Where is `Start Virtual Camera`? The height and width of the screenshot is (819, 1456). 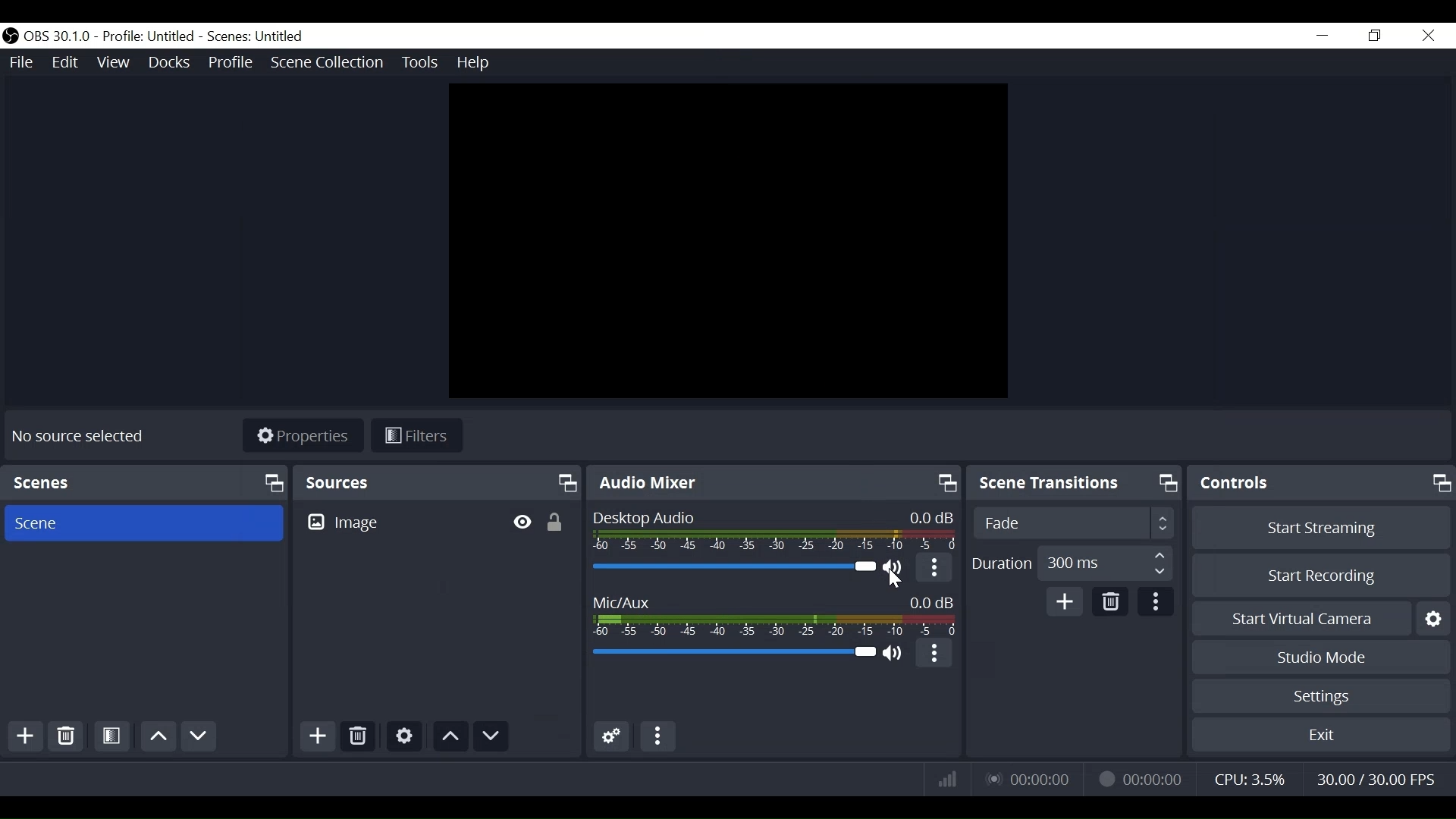
Start Virtual Camera is located at coordinates (1321, 619).